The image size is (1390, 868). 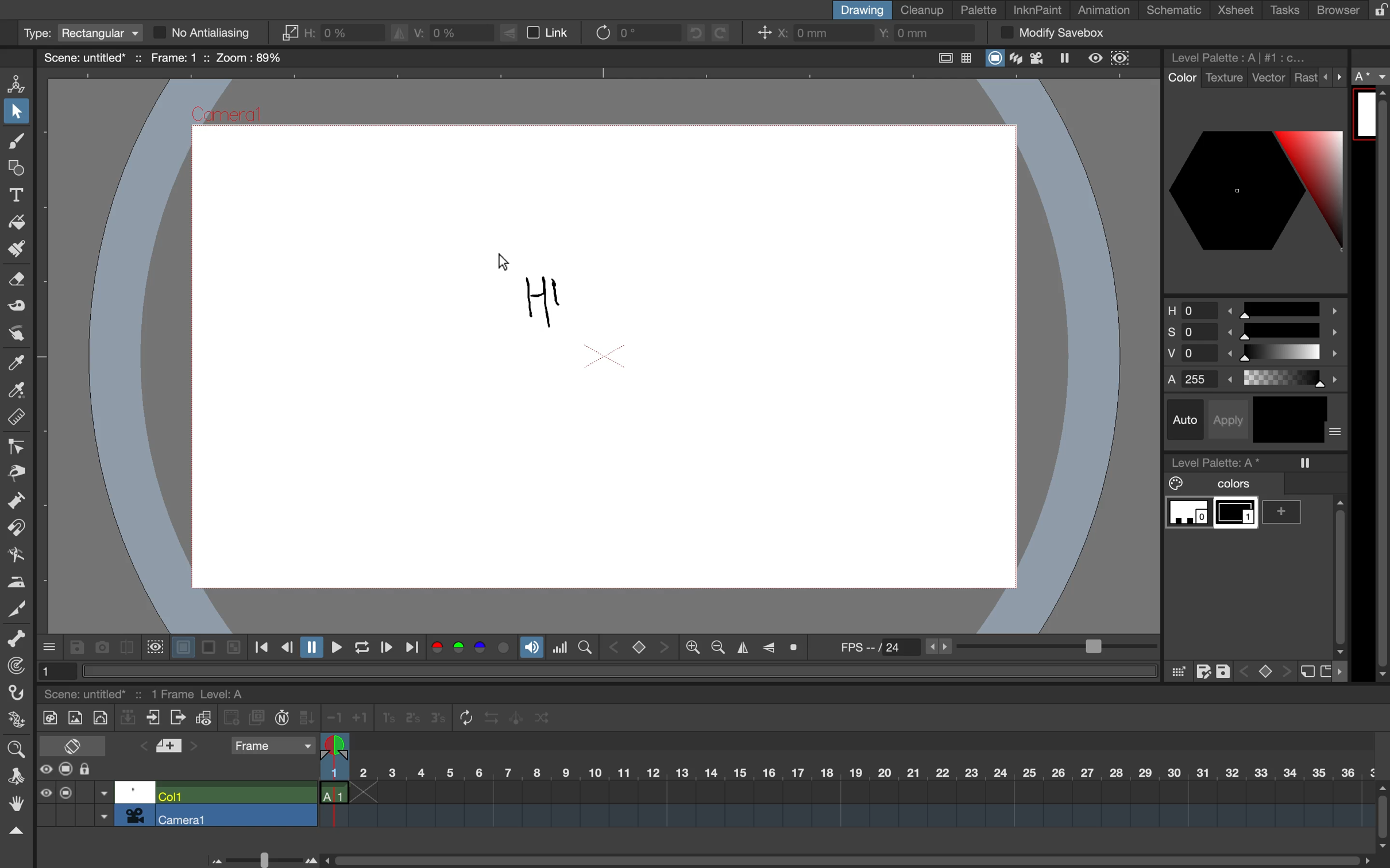 I want to click on preview, so click(x=1096, y=57).